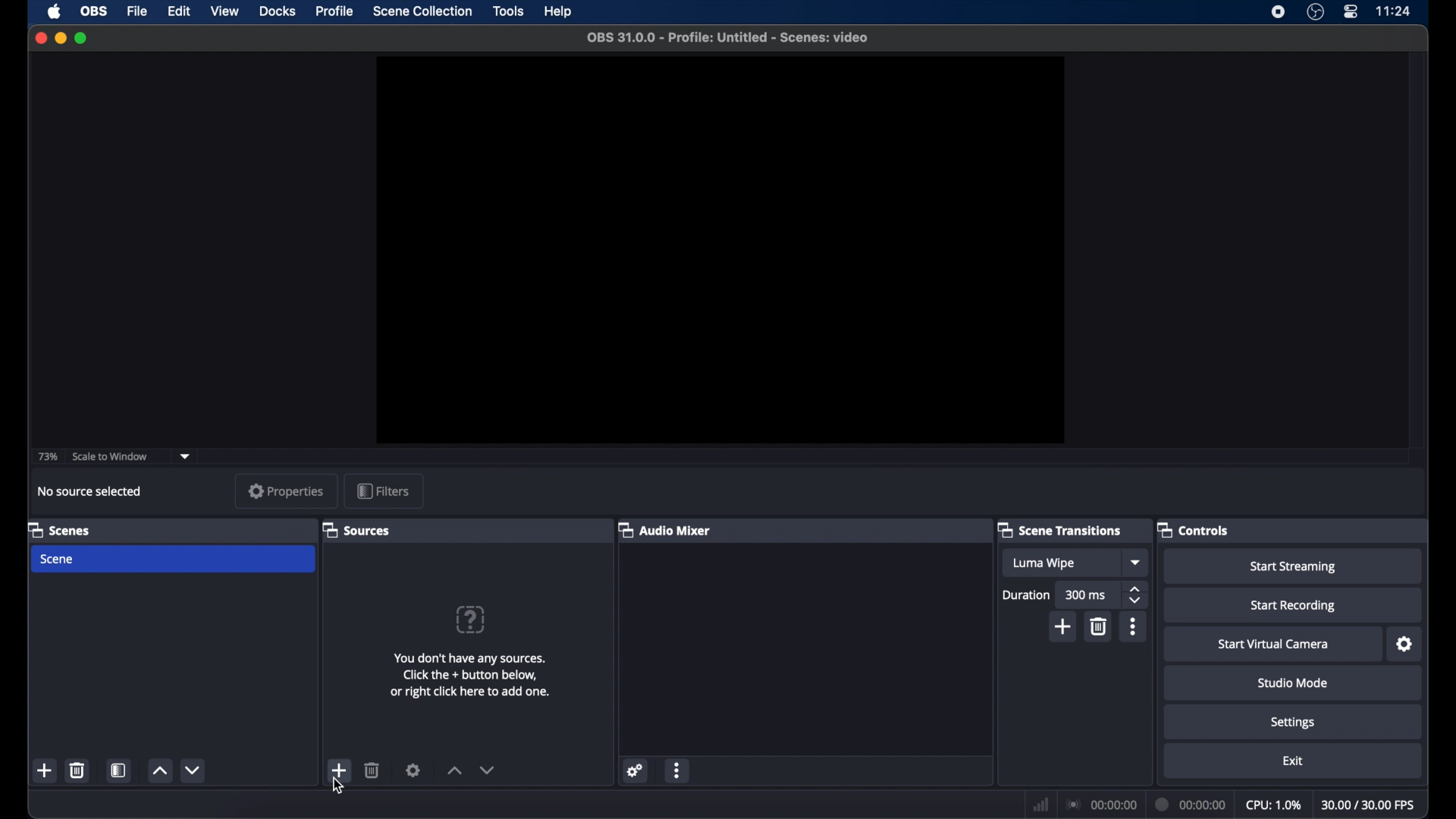  I want to click on start virtual camera, so click(1272, 645).